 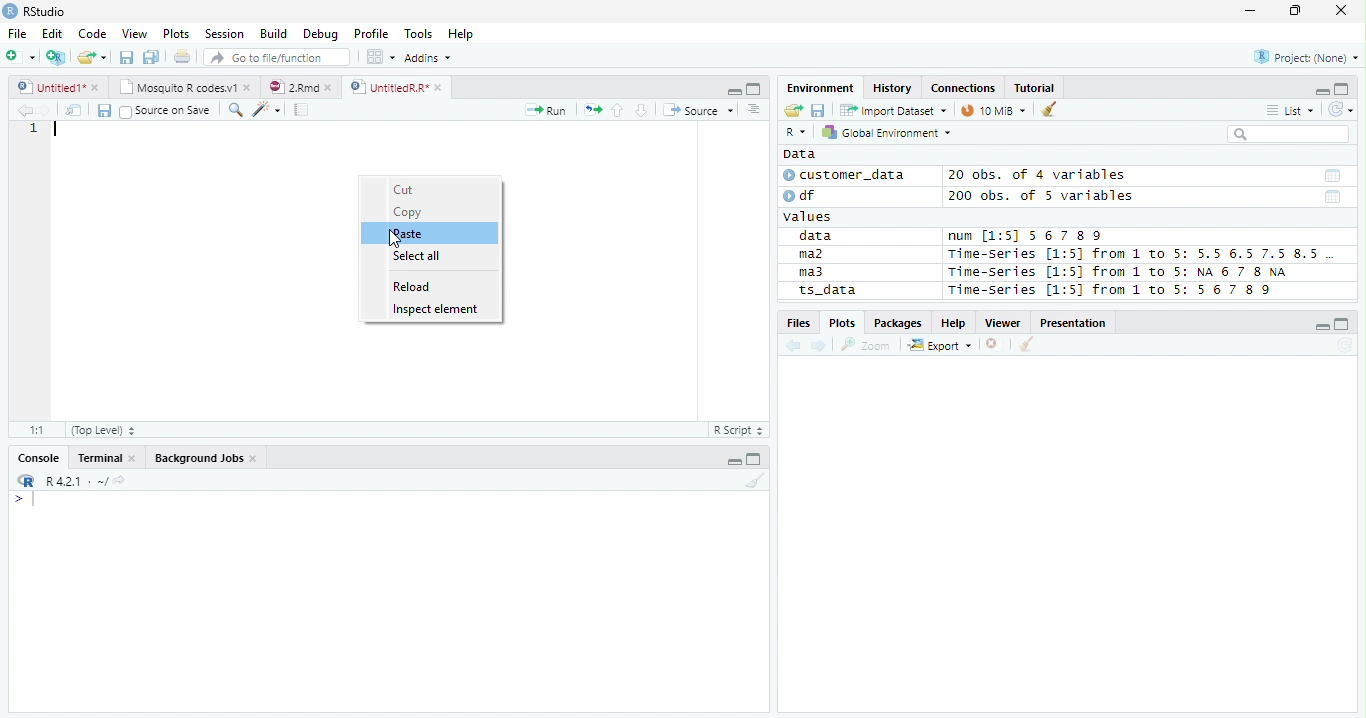 What do you see at coordinates (51, 32) in the screenshot?
I see `Edit` at bounding box center [51, 32].